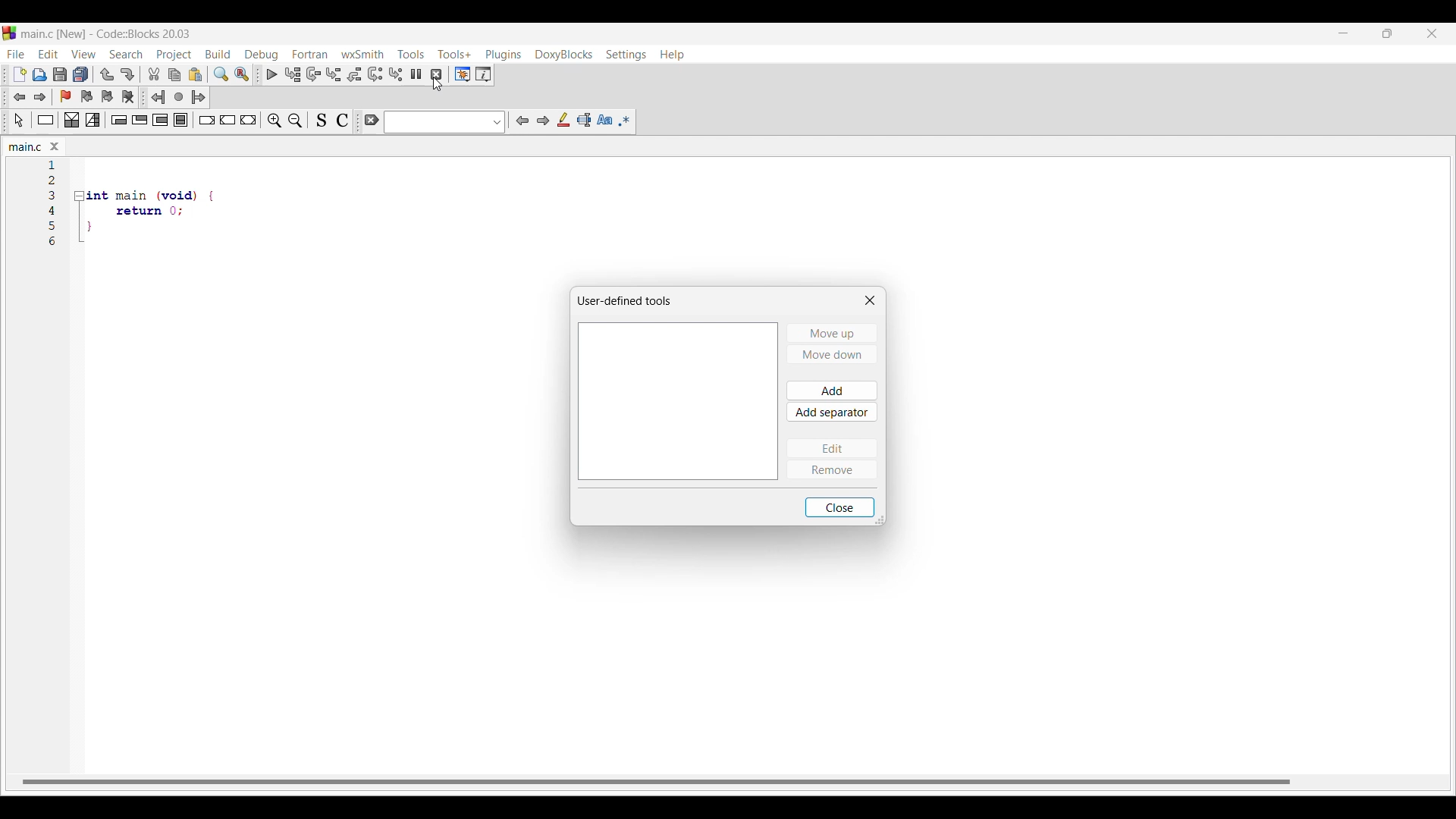  Describe the element at coordinates (880, 520) in the screenshot. I see `Change dimension of box` at that location.